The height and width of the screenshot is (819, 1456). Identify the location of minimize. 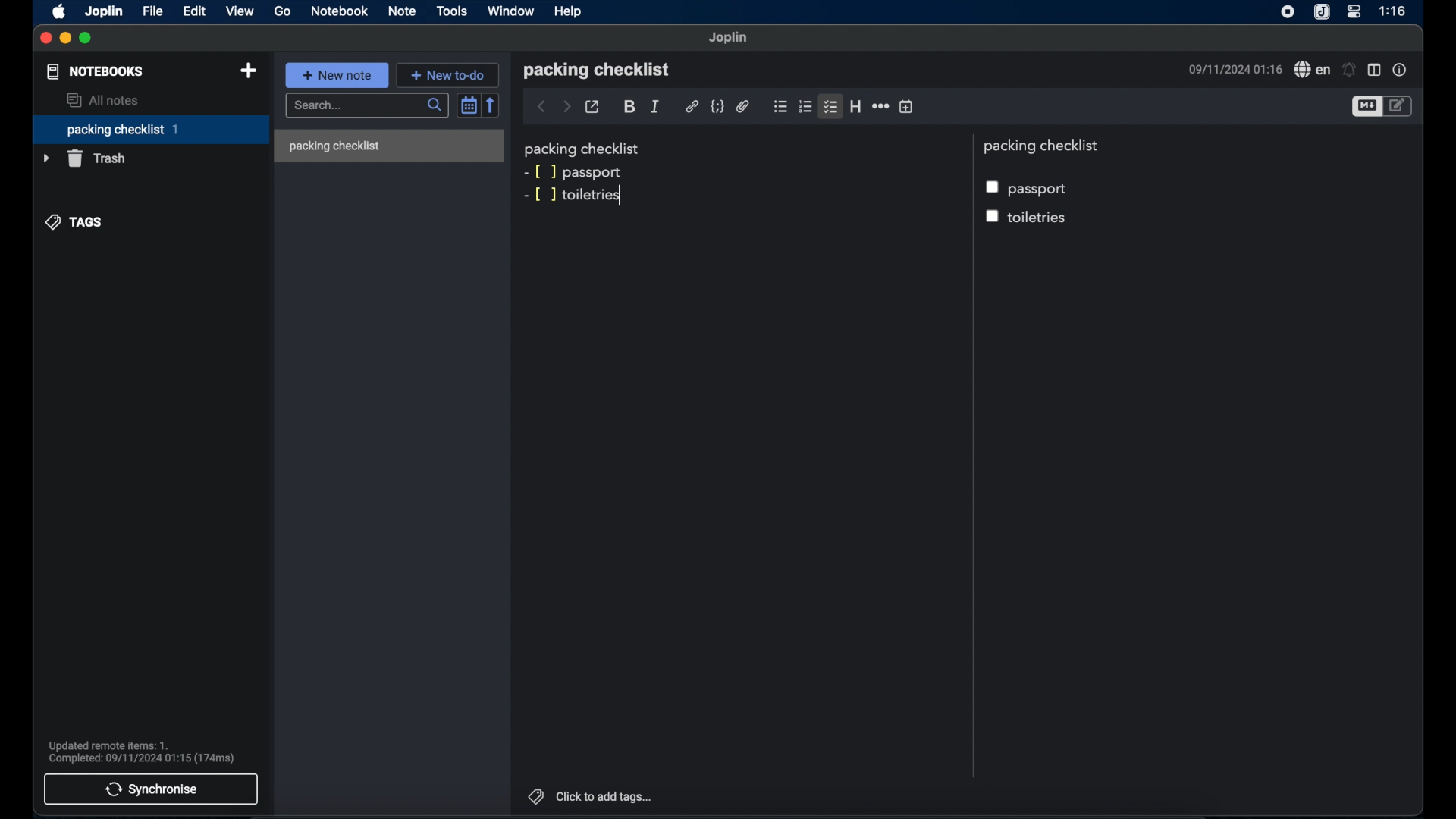
(65, 39).